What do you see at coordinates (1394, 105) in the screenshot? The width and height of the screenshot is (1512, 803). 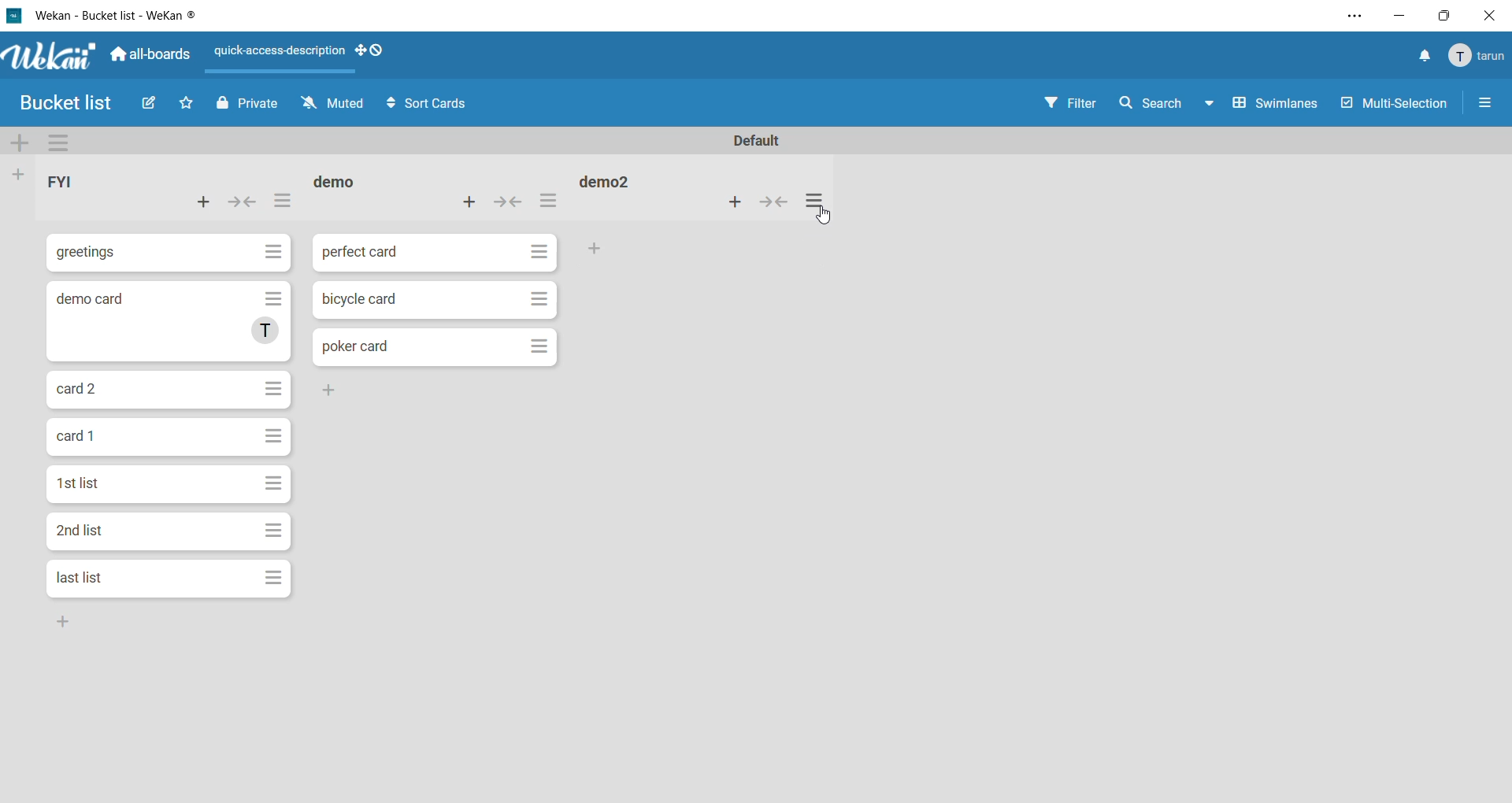 I see `Multi-Selection` at bounding box center [1394, 105].